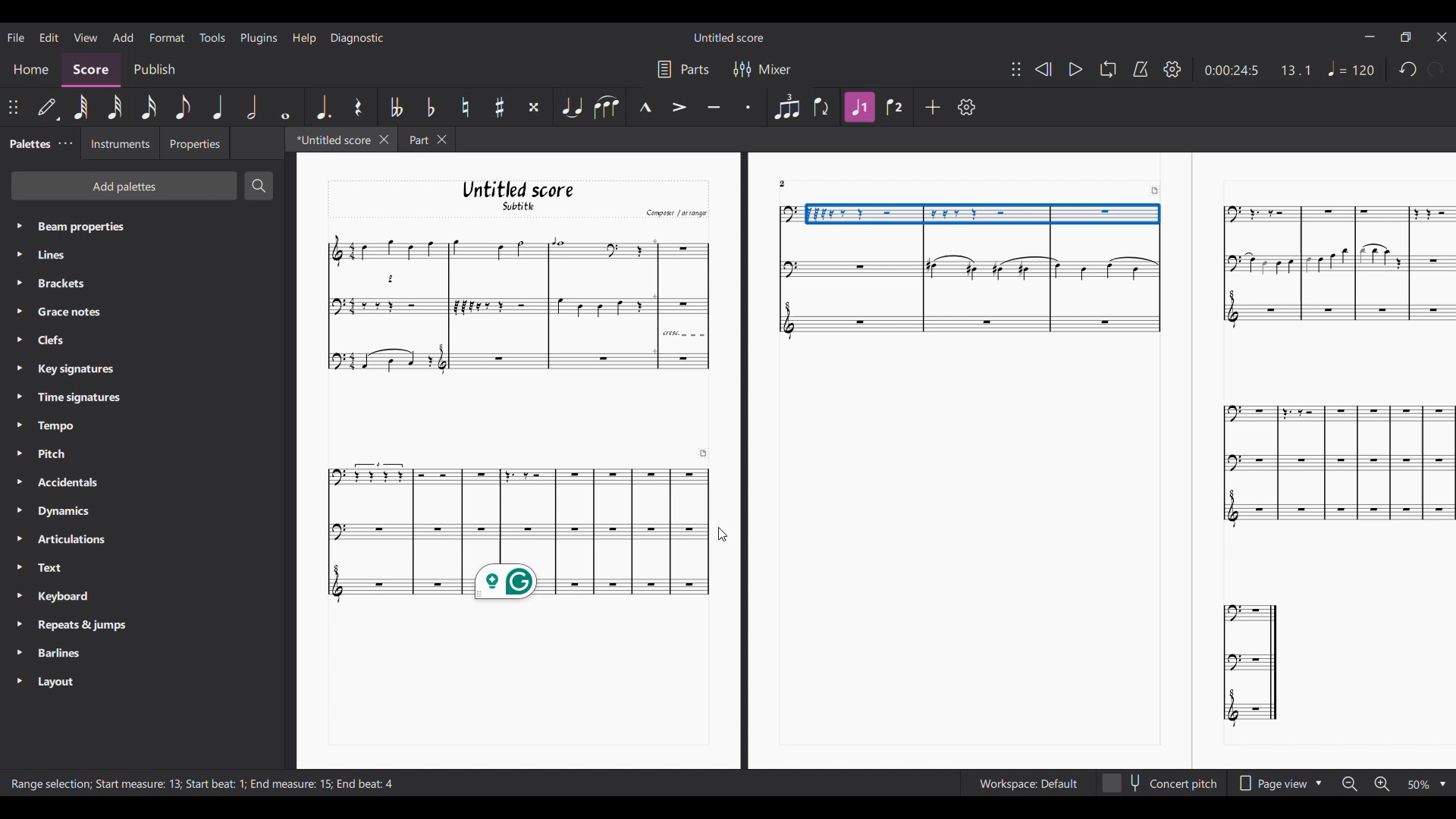  I want to click on Home , so click(30, 71).